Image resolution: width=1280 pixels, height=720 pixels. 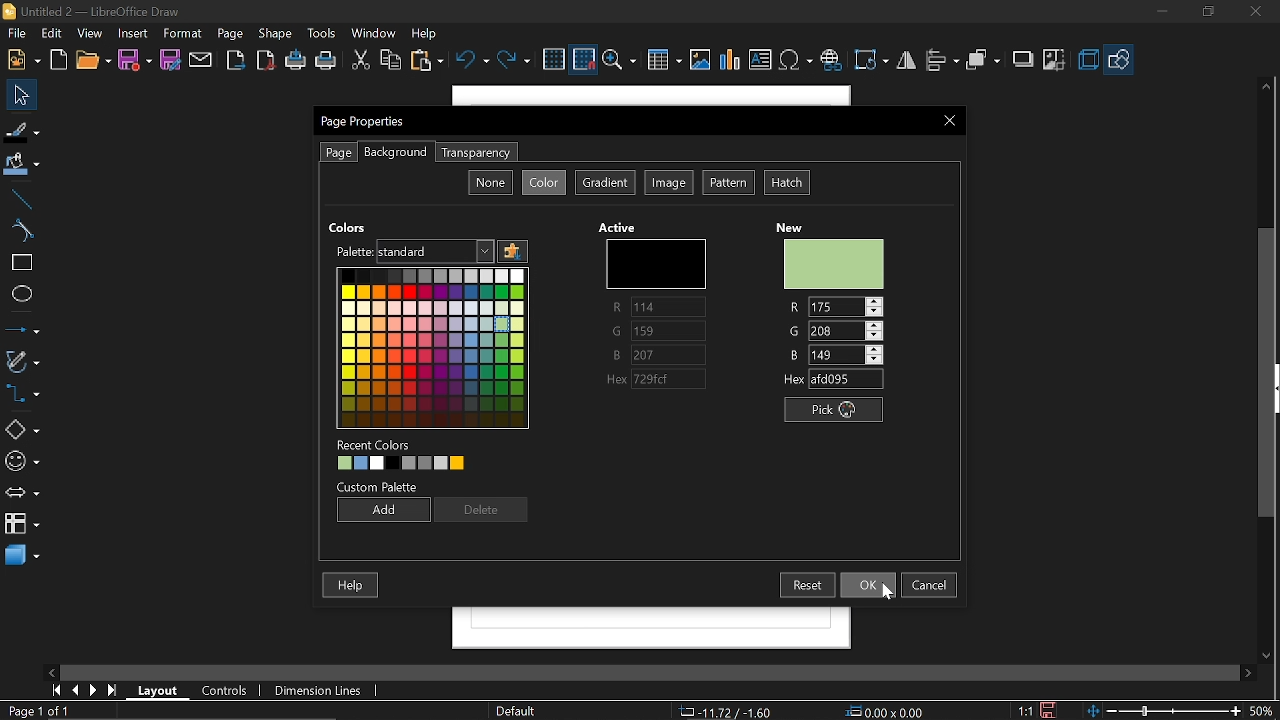 What do you see at coordinates (94, 690) in the screenshot?
I see `Next page` at bounding box center [94, 690].